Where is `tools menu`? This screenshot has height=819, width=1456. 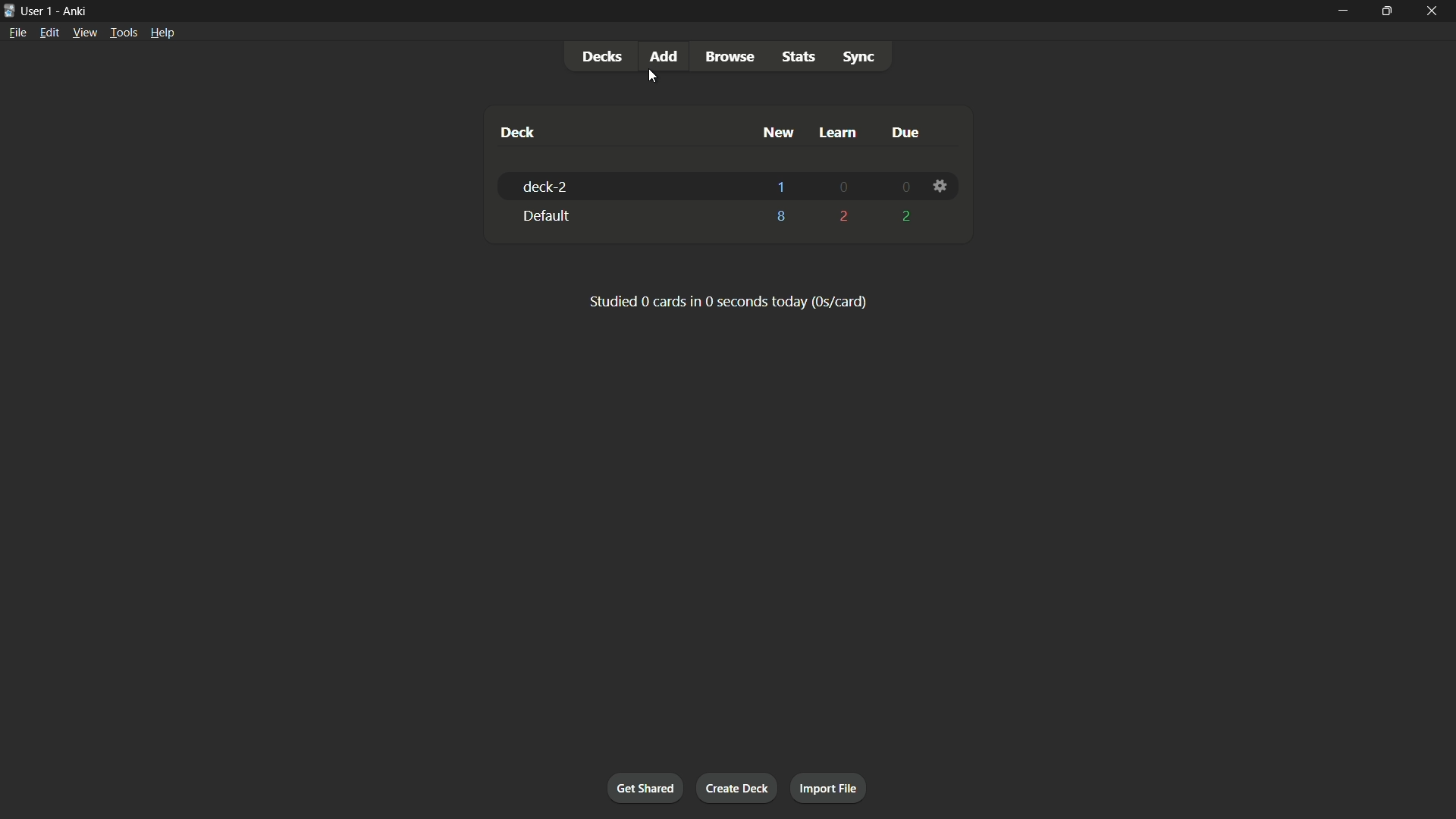
tools menu is located at coordinates (124, 33).